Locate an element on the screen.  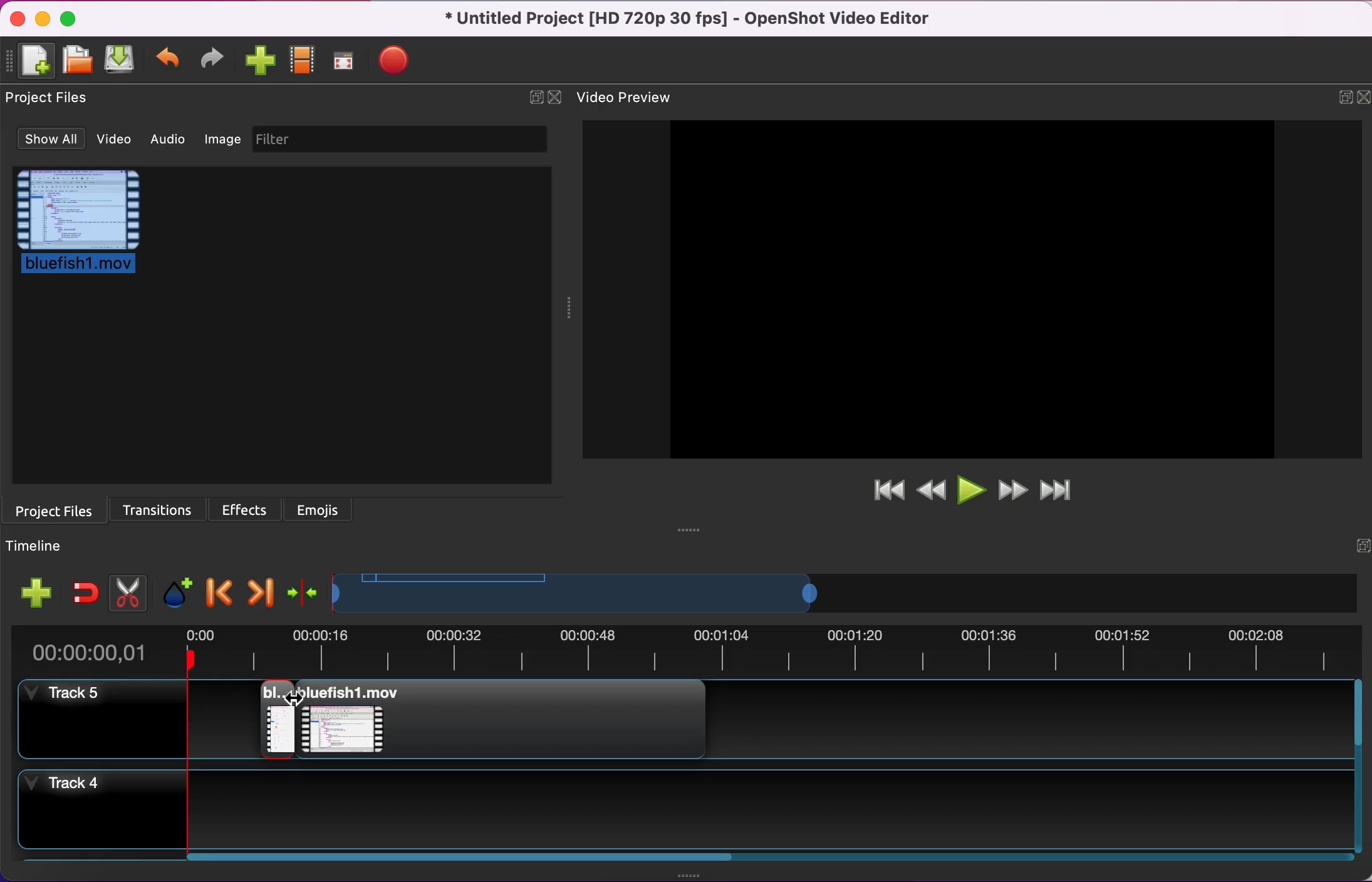
close is located at coordinates (1363, 96).